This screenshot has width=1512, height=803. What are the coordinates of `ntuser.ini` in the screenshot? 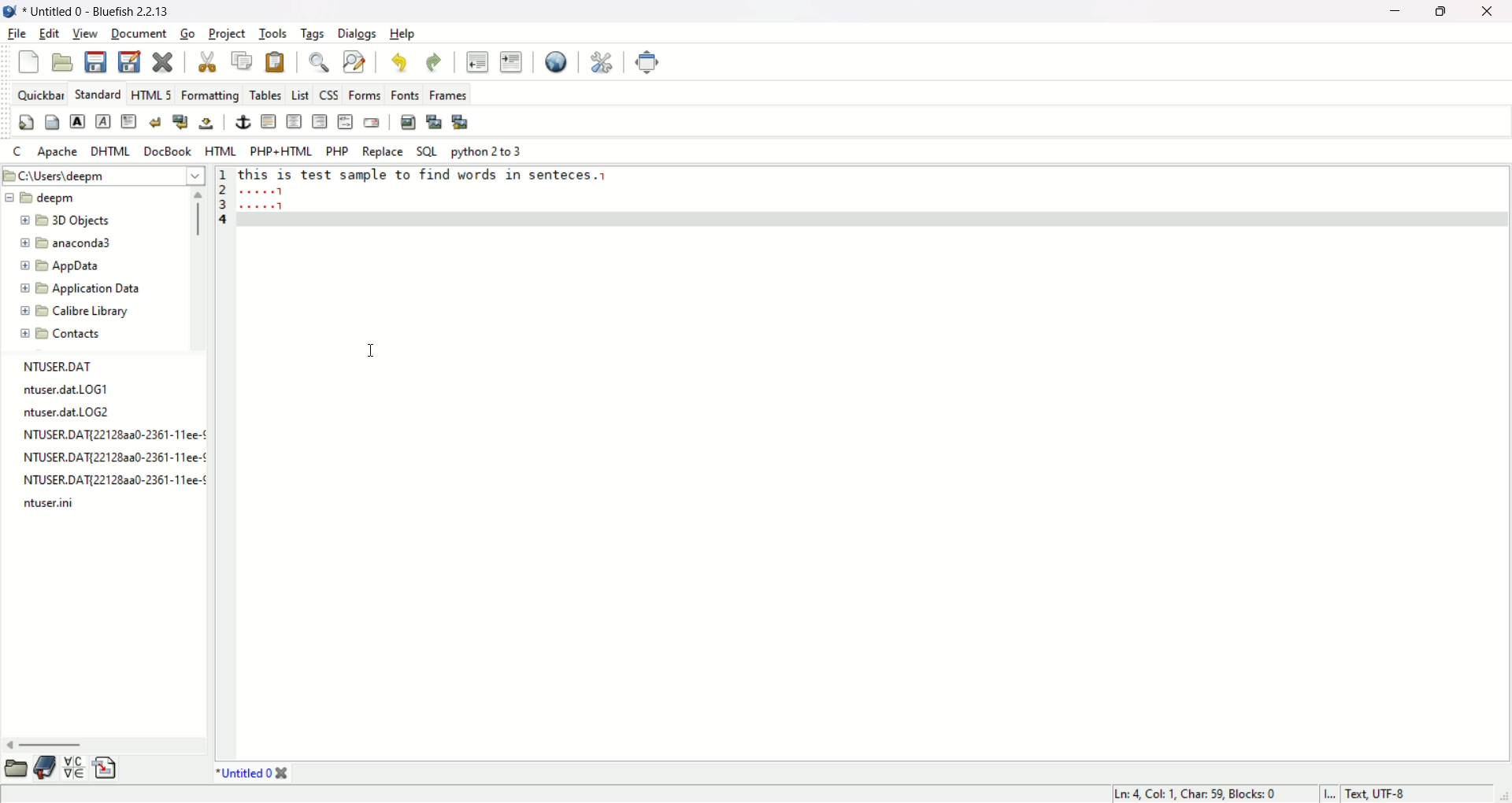 It's located at (52, 503).